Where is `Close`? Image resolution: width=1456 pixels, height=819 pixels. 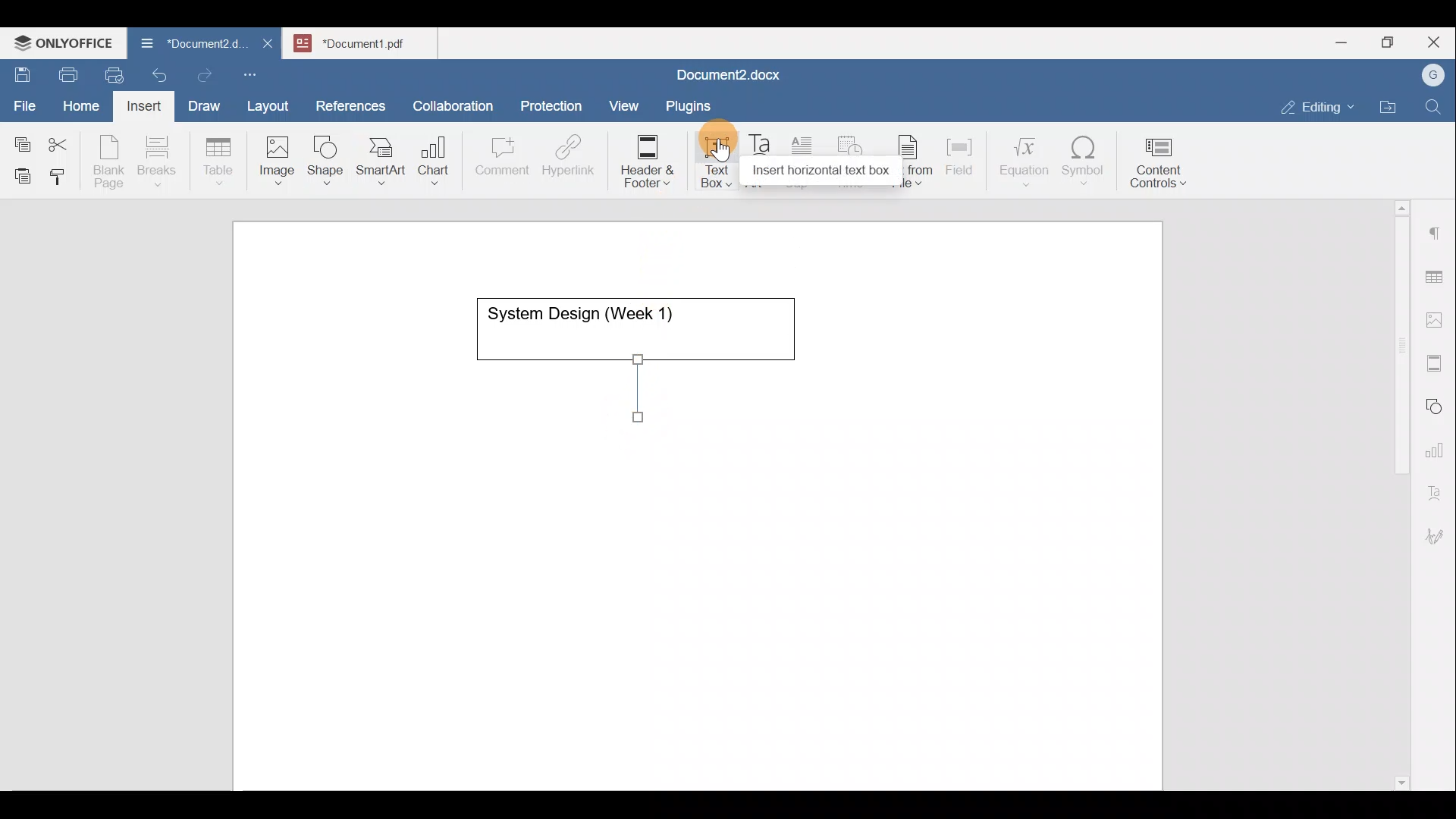 Close is located at coordinates (1436, 43).